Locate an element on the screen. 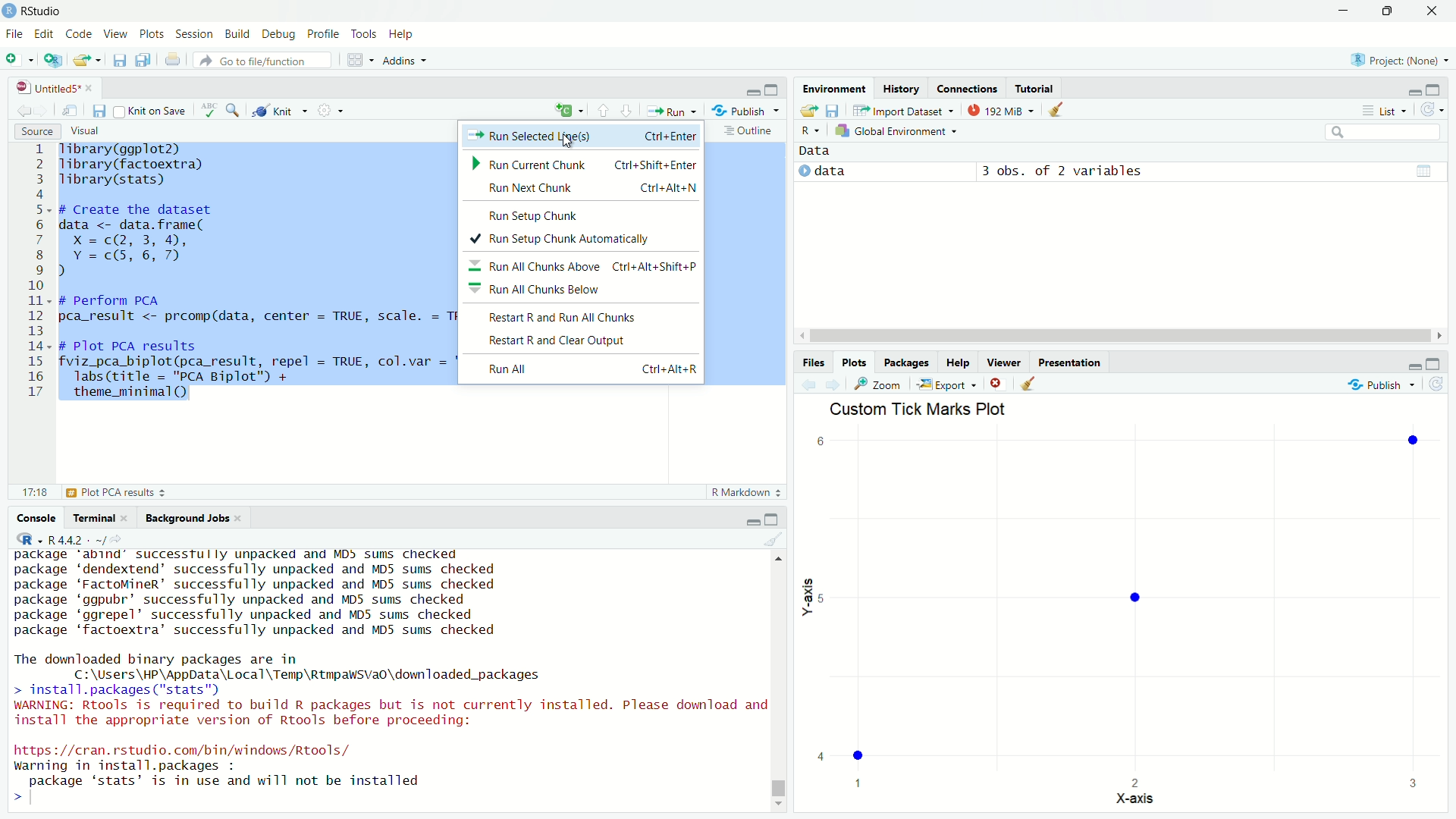 The height and width of the screenshot is (819, 1456). maximum is located at coordinates (1435, 362).